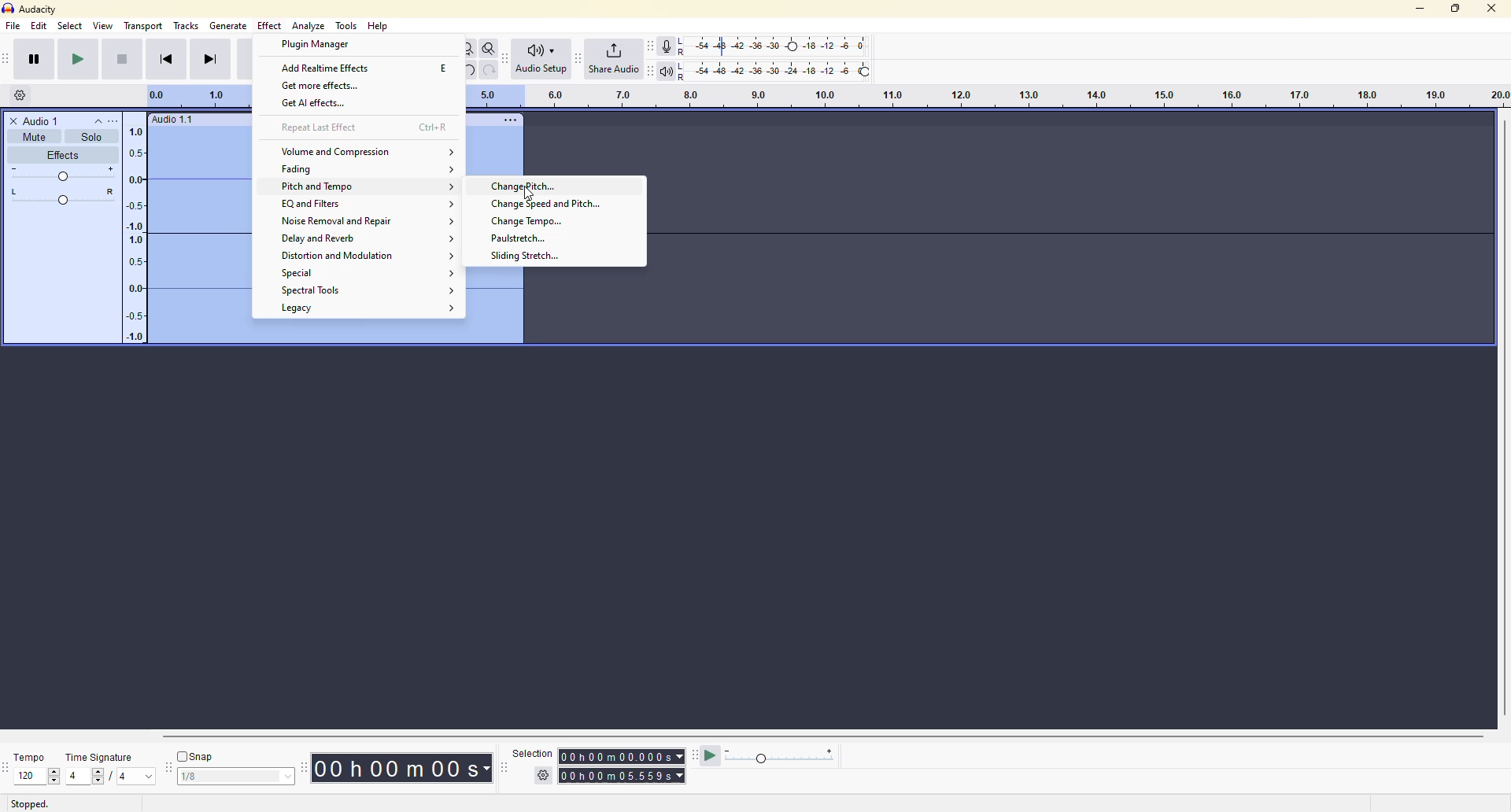  Describe the element at coordinates (452, 152) in the screenshot. I see `expand` at that location.